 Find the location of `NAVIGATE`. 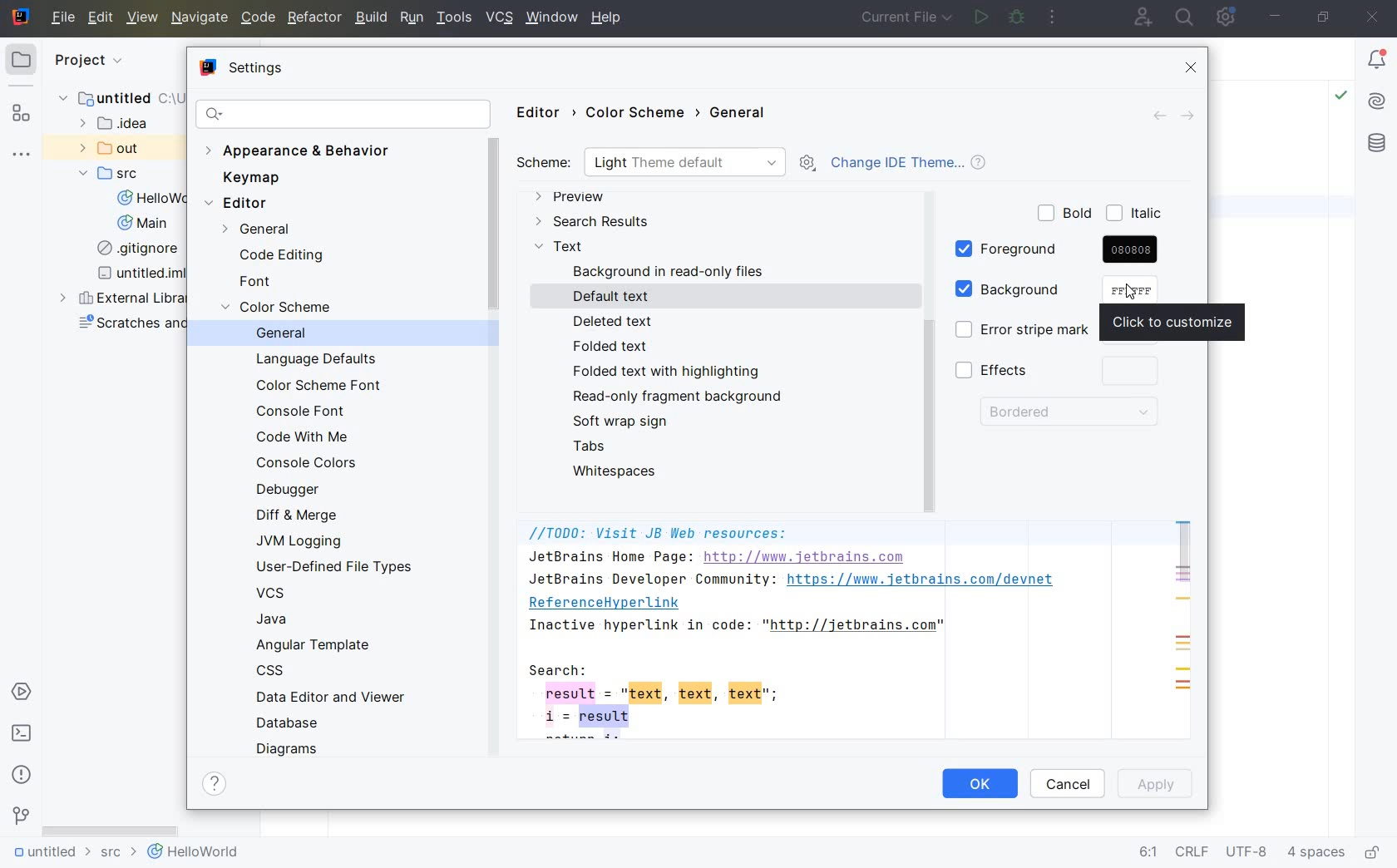

NAVIGATE is located at coordinates (198, 18).